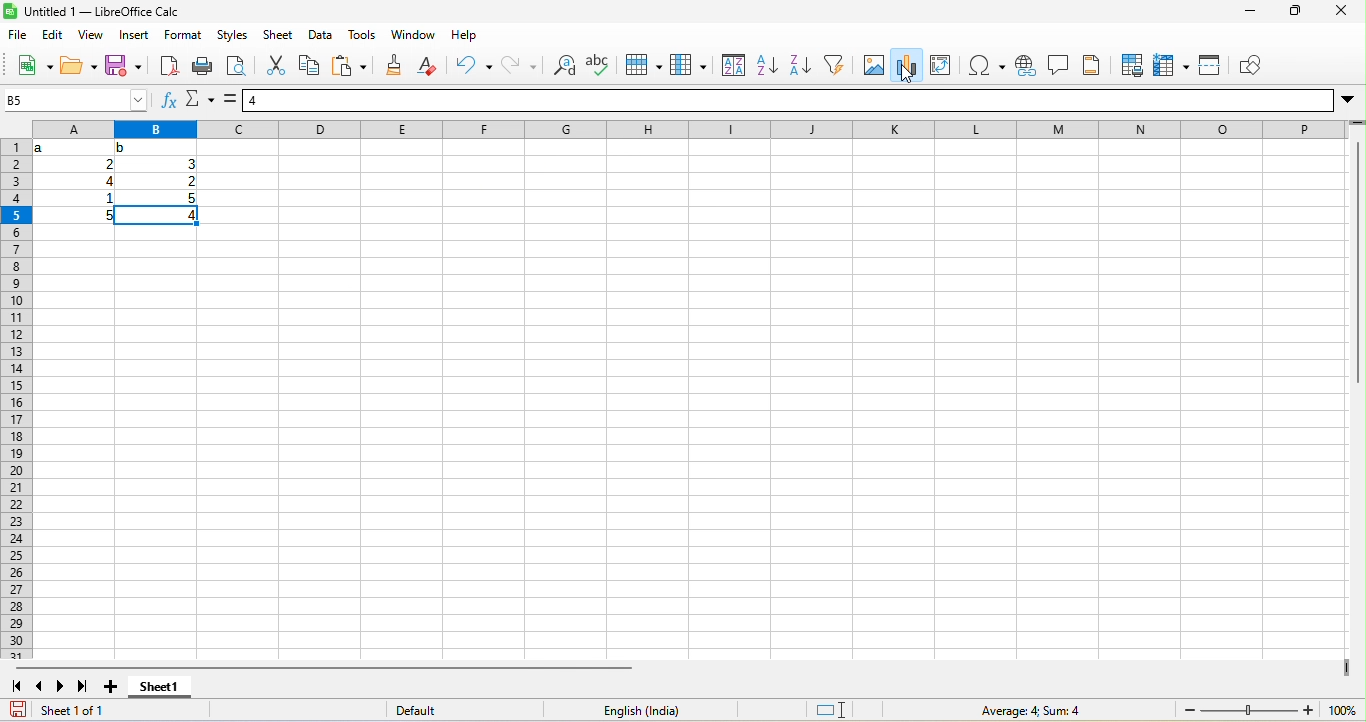 The image size is (1366, 722). I want to click on column, so click(688, 64).